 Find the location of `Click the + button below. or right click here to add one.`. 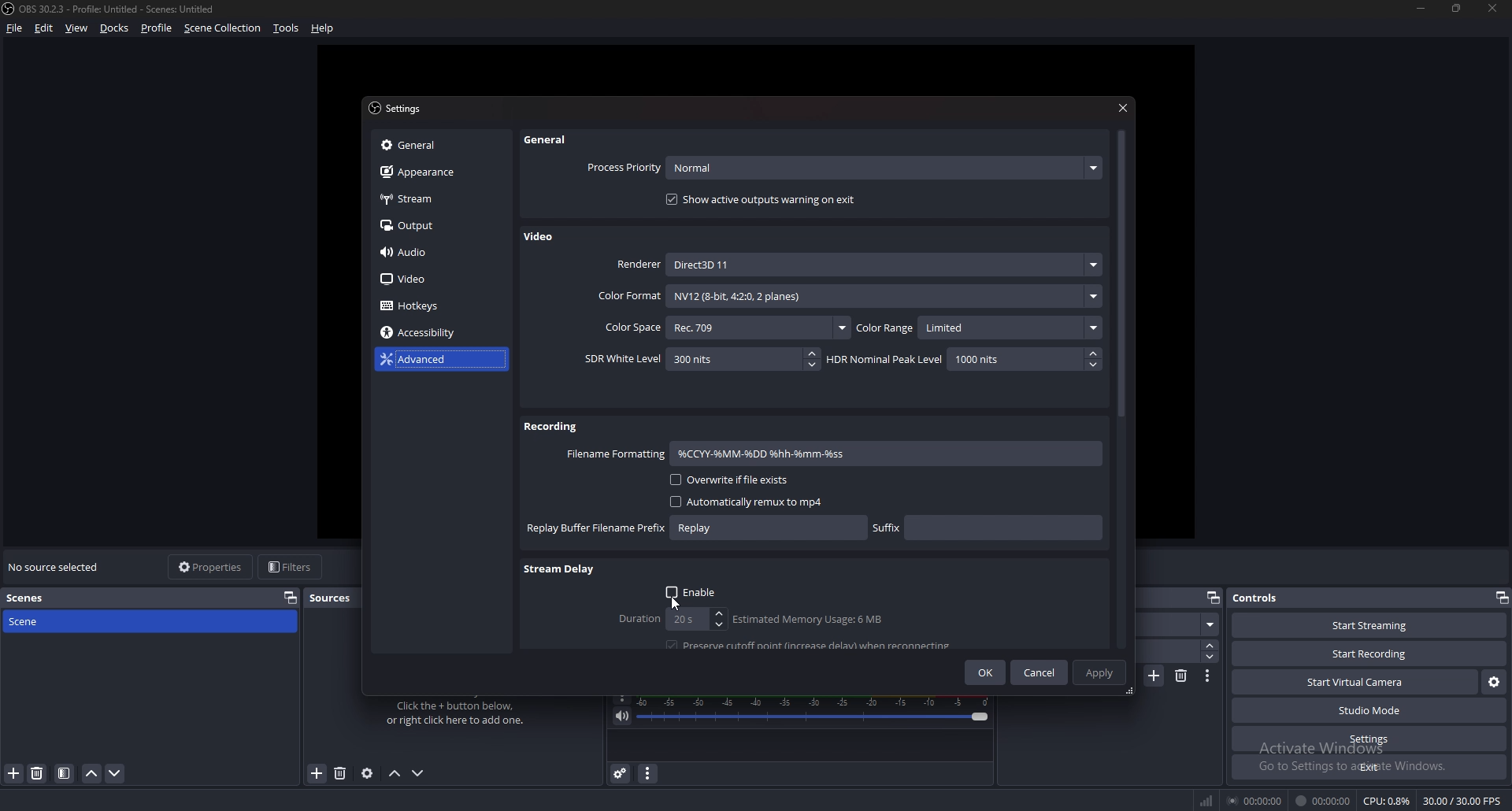

Click the + button below. or right click here to add one. is located at coordinates (458, 713).